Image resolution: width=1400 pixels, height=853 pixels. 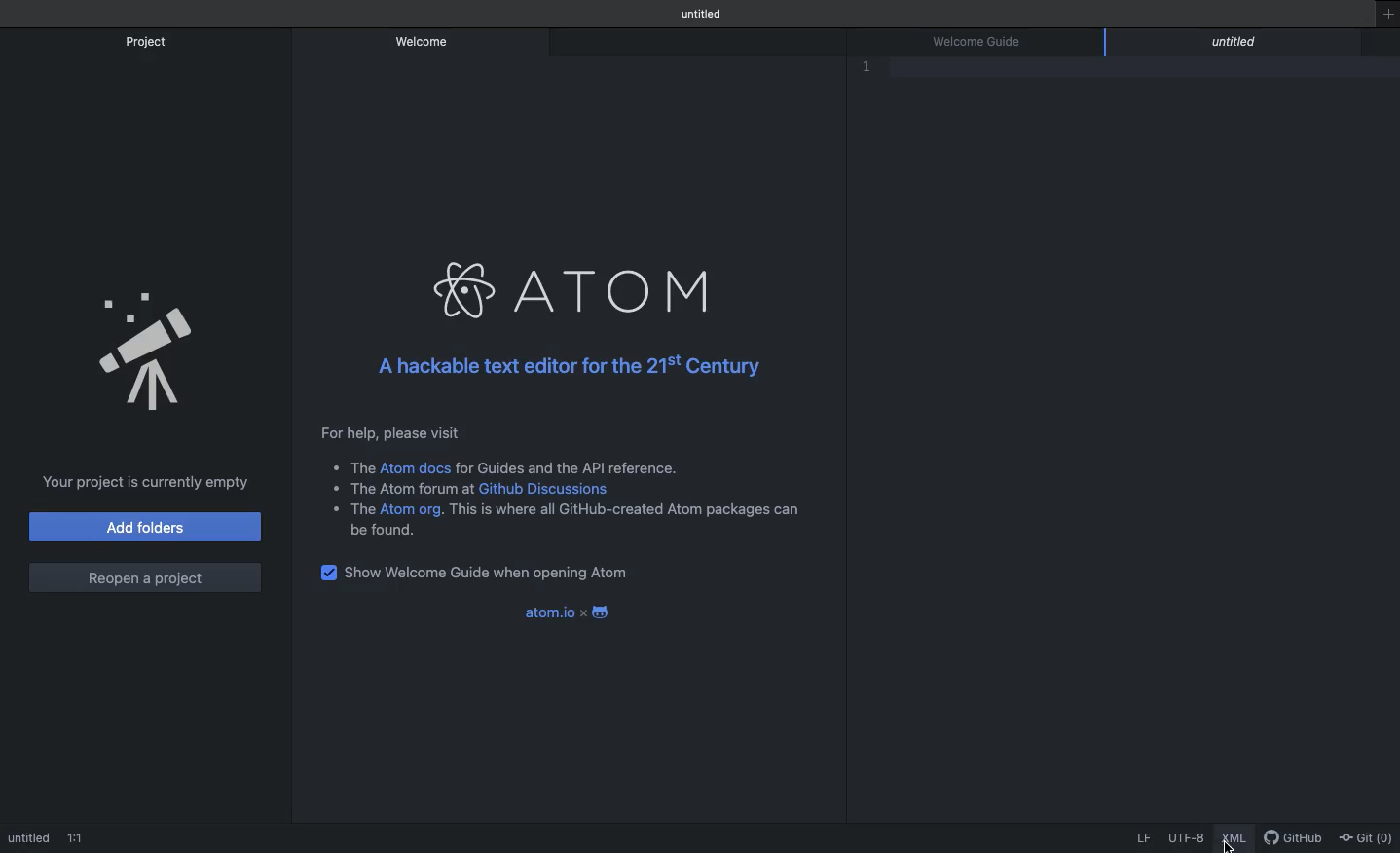 I want to click on Add folders, so click(x=143, y=529).